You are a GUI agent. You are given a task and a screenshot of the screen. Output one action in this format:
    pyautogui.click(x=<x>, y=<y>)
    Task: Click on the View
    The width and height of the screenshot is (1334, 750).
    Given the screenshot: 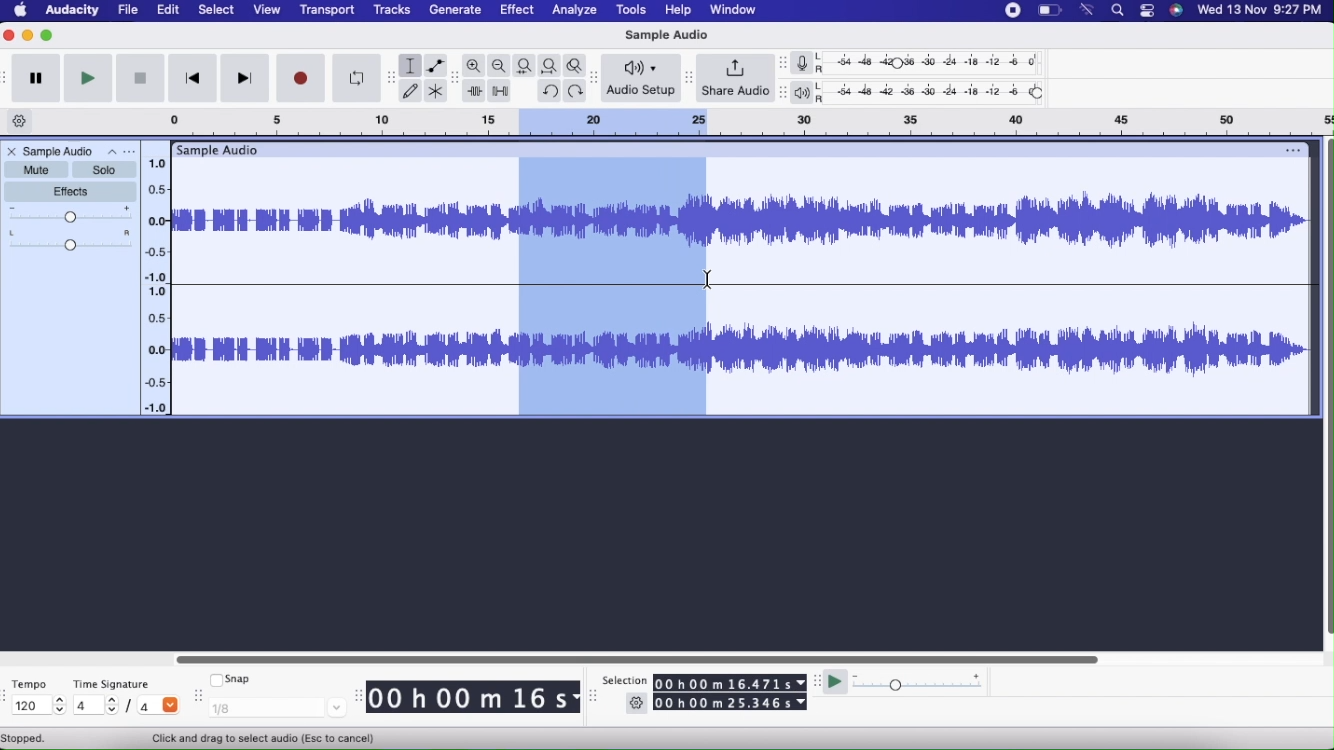 What is the action you would take?
    pyautogui.click(x=264, y=11)
    